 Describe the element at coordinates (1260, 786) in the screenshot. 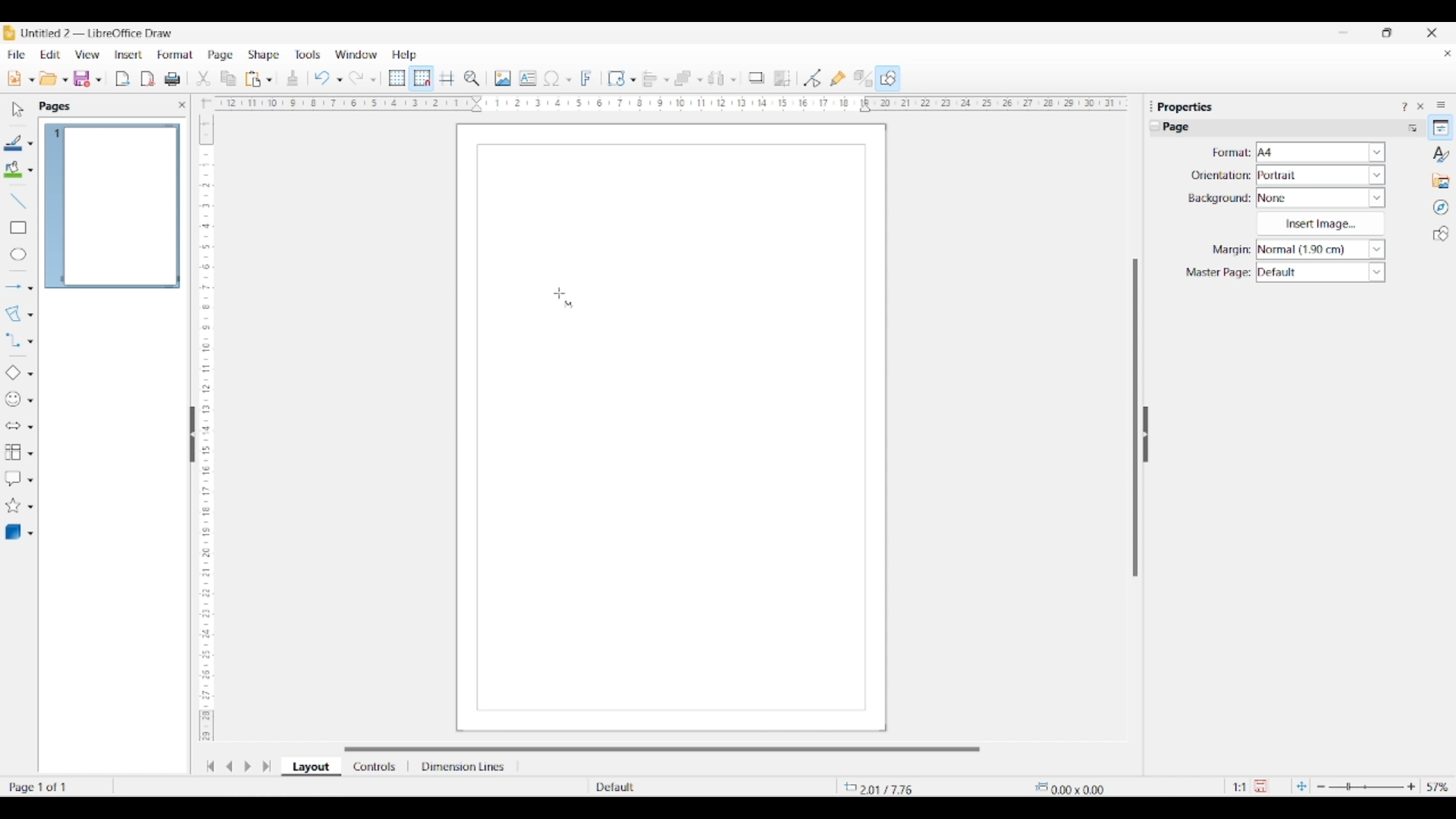

I see `Click to save modifications` at that location.